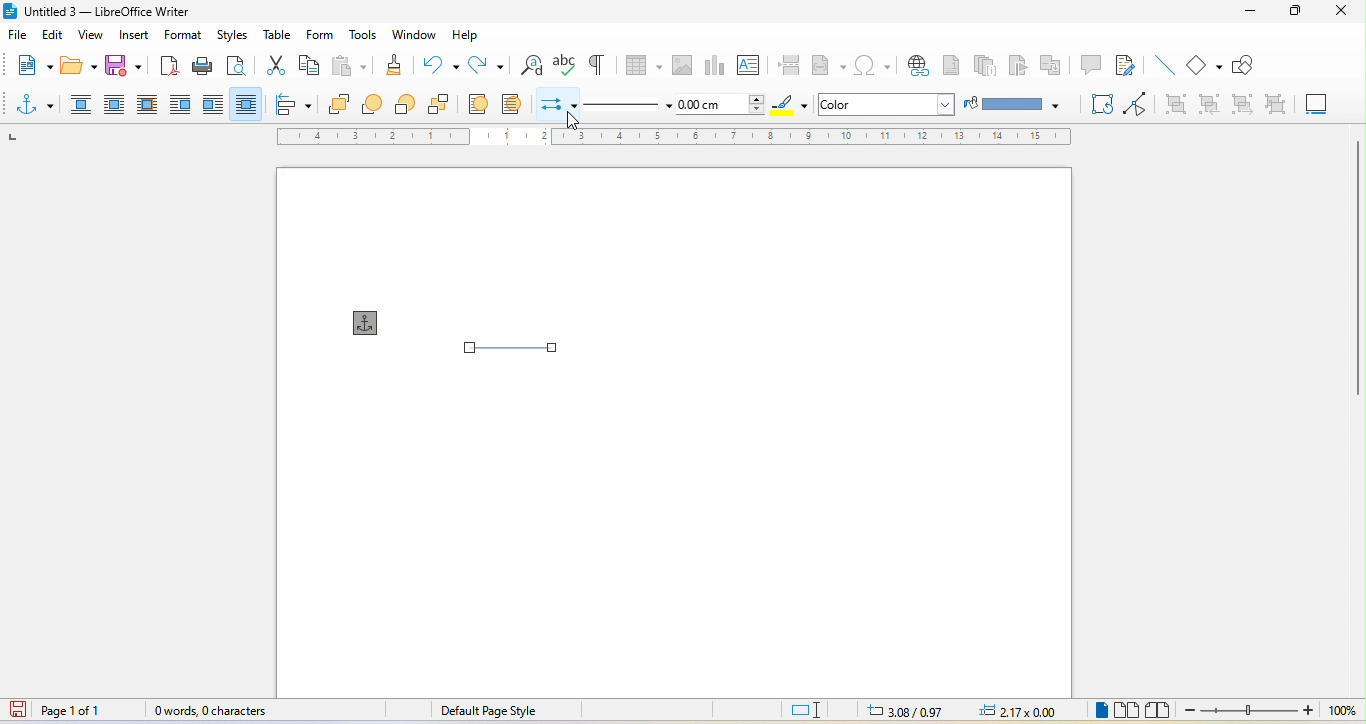  What do you see at coordinates (680, 63) in the screenshot?
I see `image` at bounding box center [680, 63].